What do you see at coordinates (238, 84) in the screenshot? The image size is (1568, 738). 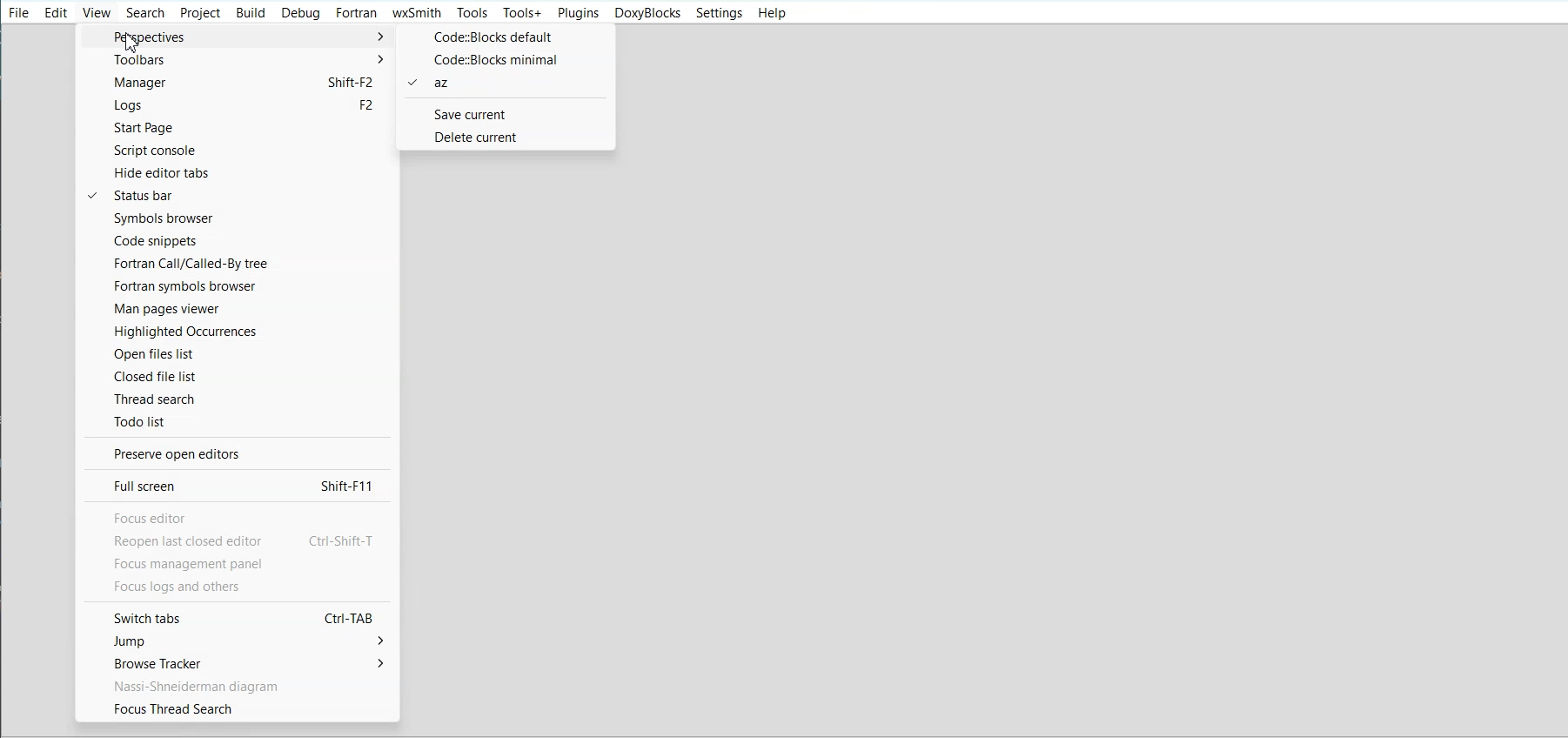 I see `Manager` at bounding box center [238, 84].